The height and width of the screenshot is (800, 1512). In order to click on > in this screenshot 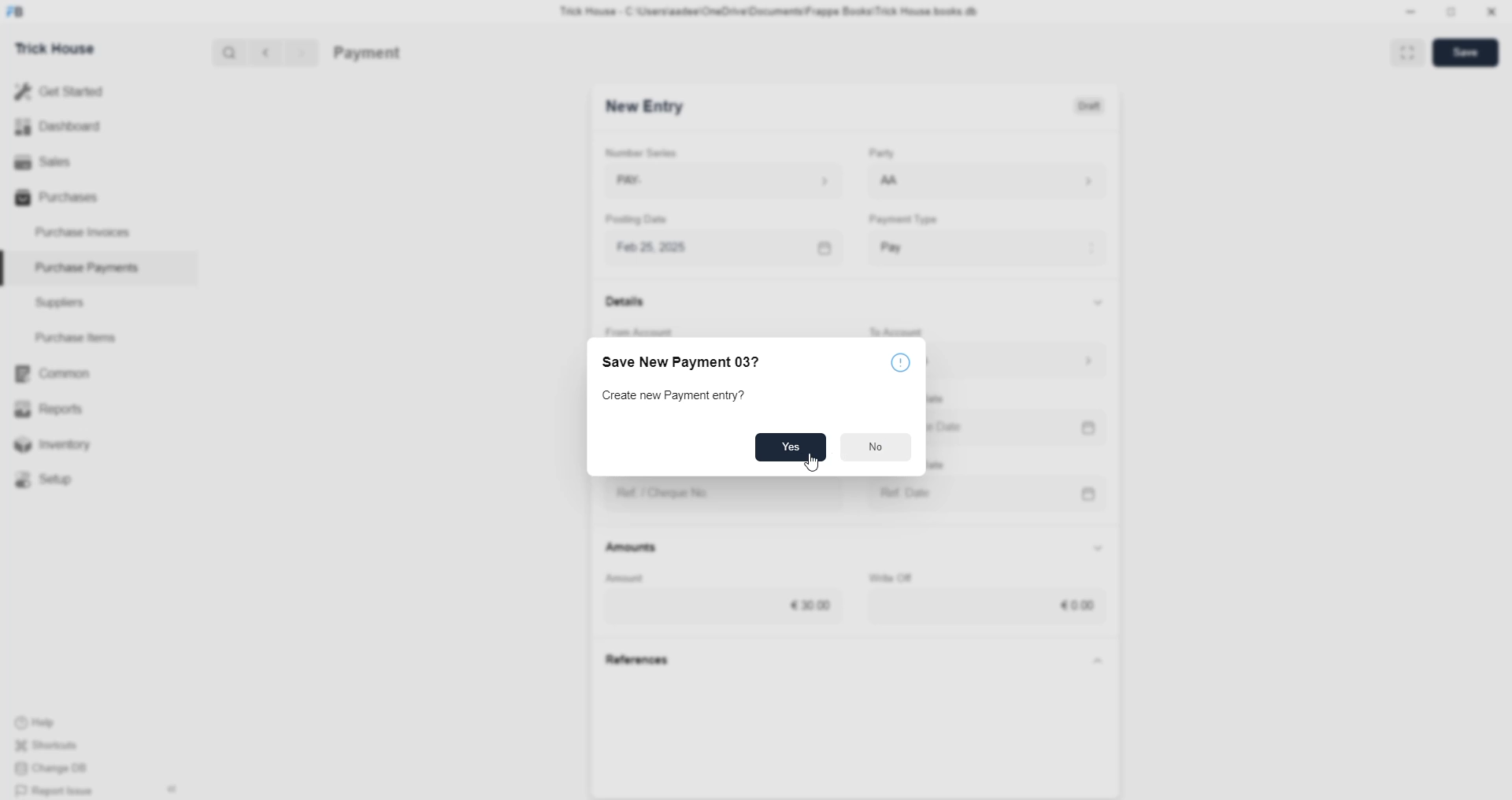, I will do `click(301, 53)`.